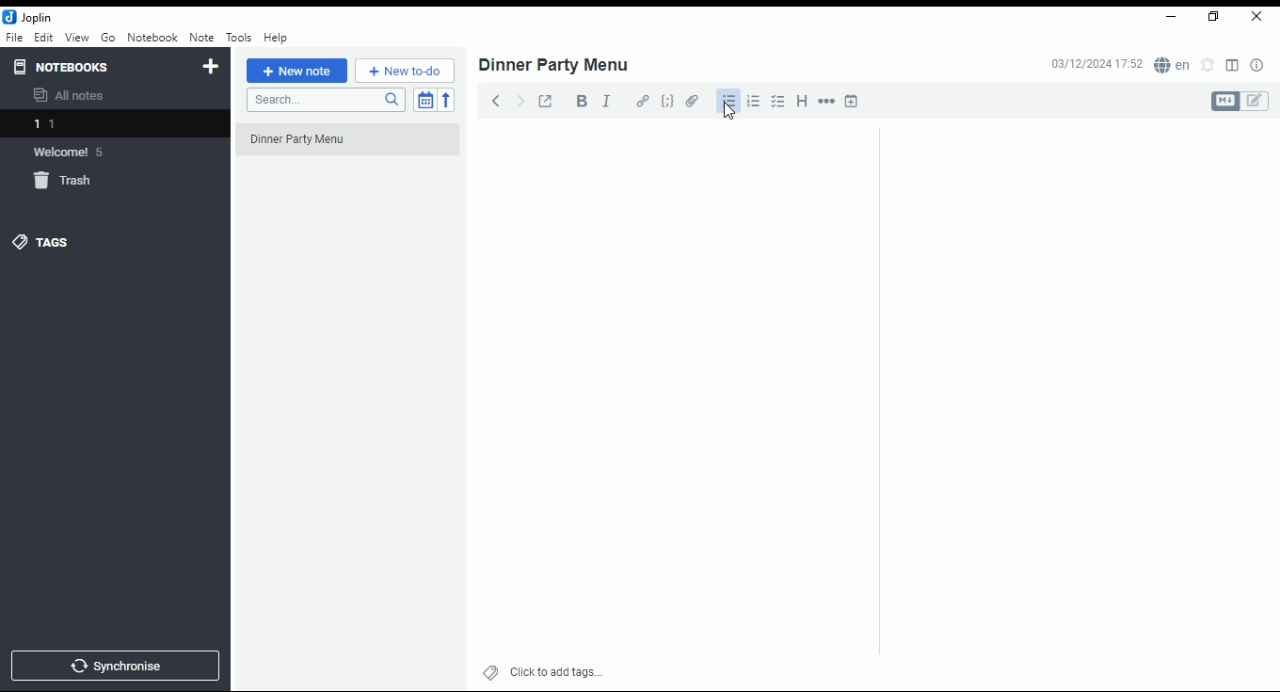 The image size is (1280, 692). What do you see at coordinates (1258, 65) in the screenshot?
I see `notes properties` at bounding box center [1258, 65].